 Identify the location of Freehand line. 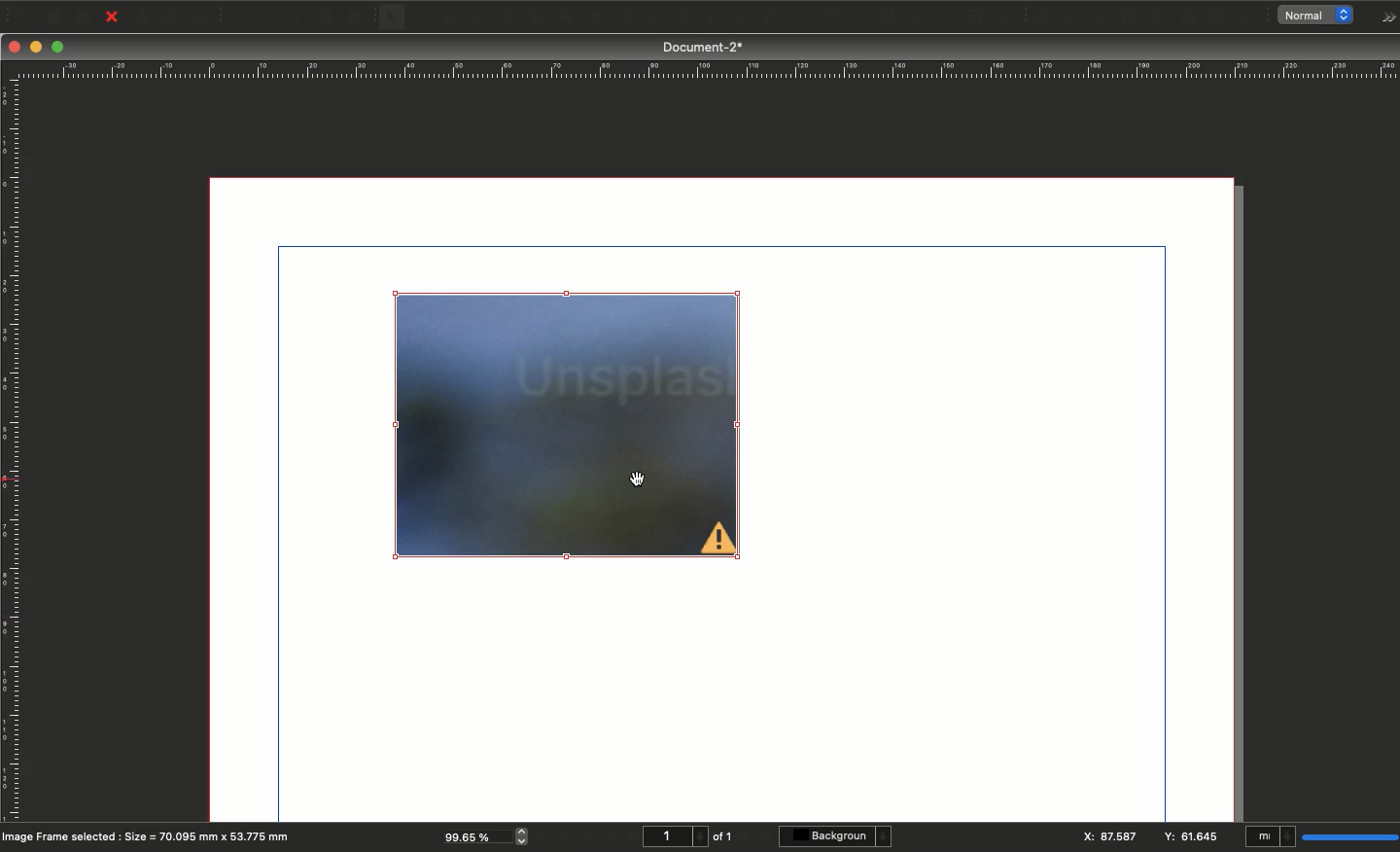
(708, 18).